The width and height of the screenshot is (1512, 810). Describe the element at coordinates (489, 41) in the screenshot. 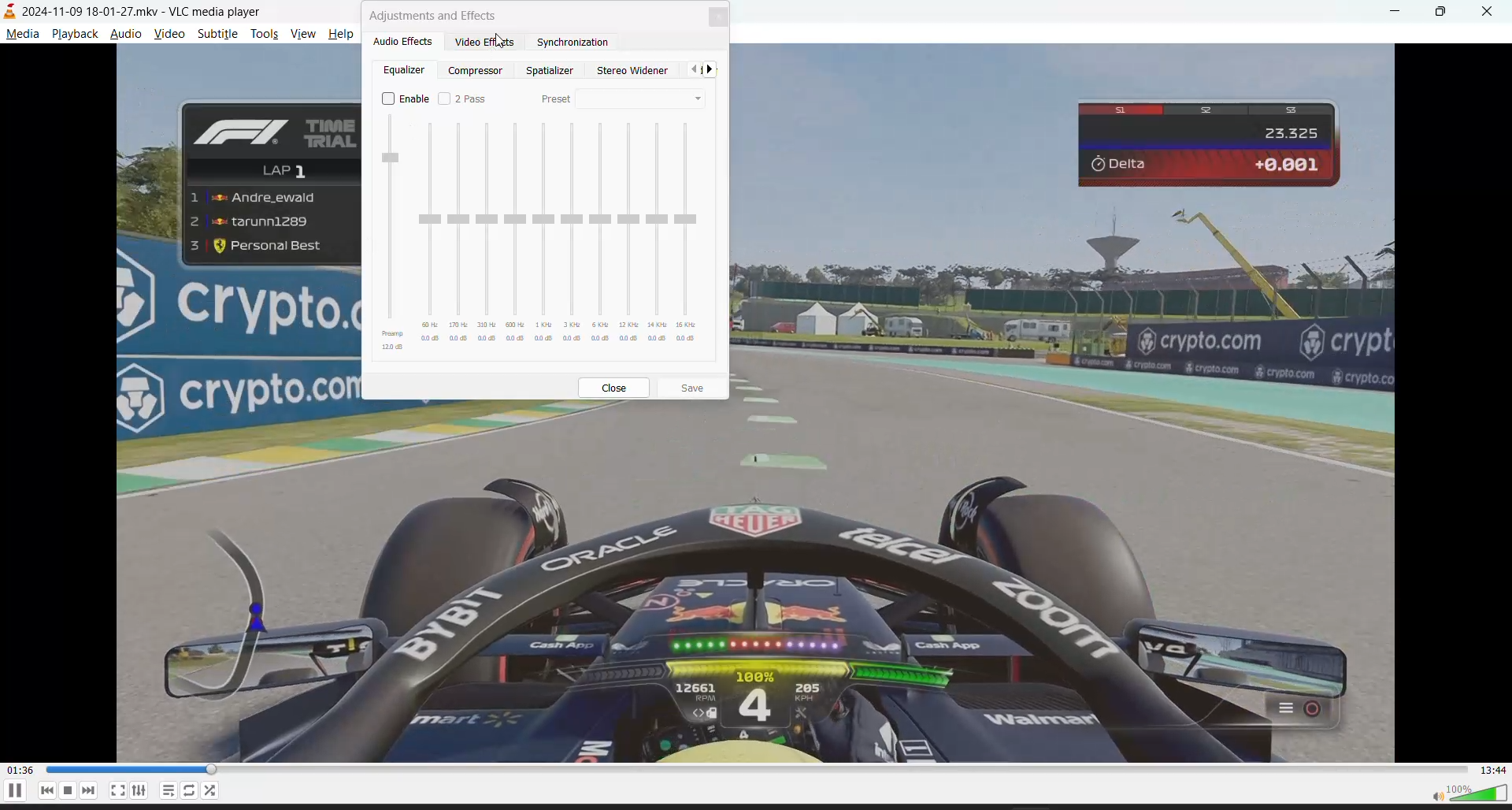

I see `video effects` at that location.